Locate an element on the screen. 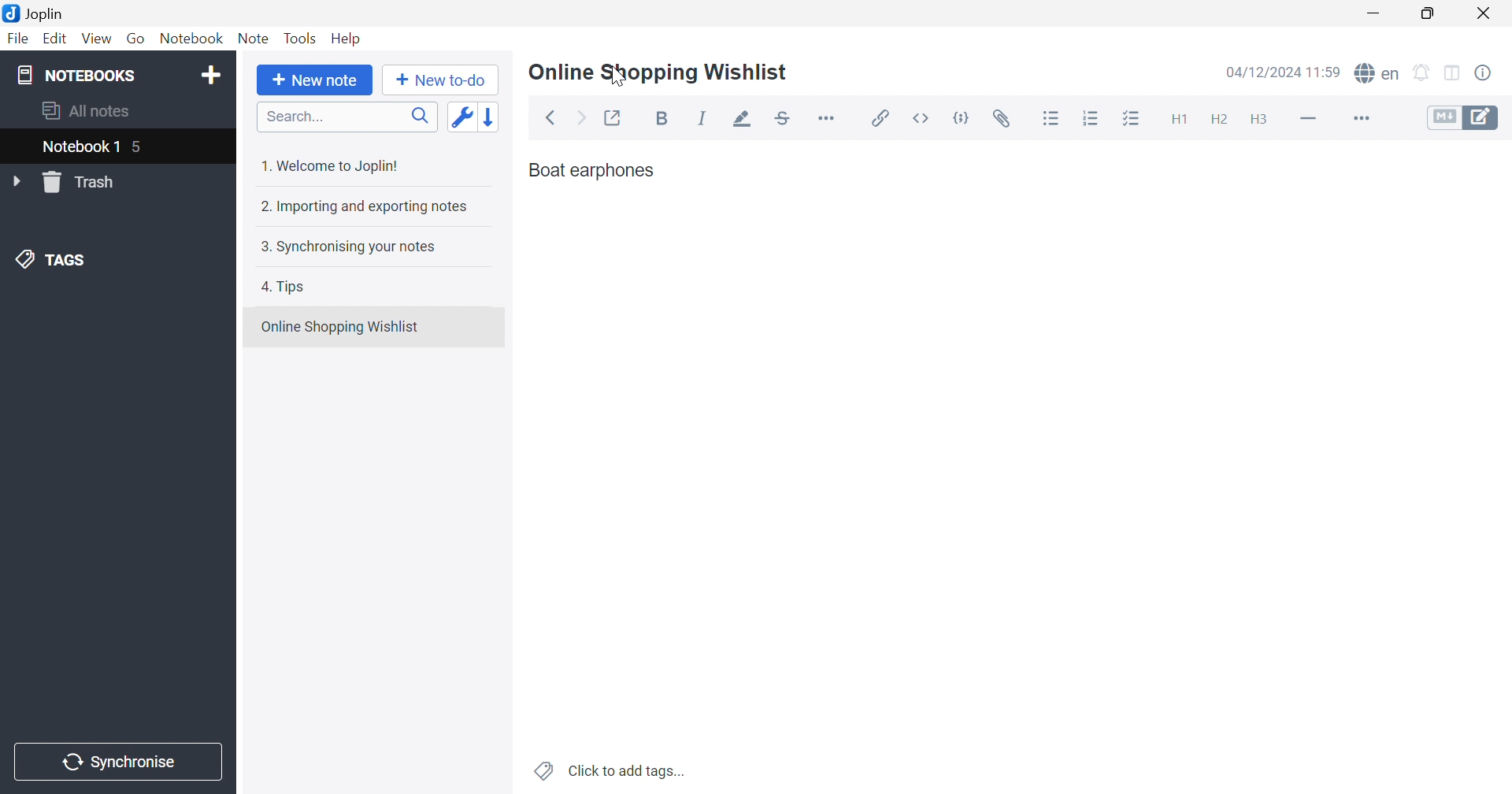  Tools is located at coordinates (301, 38).